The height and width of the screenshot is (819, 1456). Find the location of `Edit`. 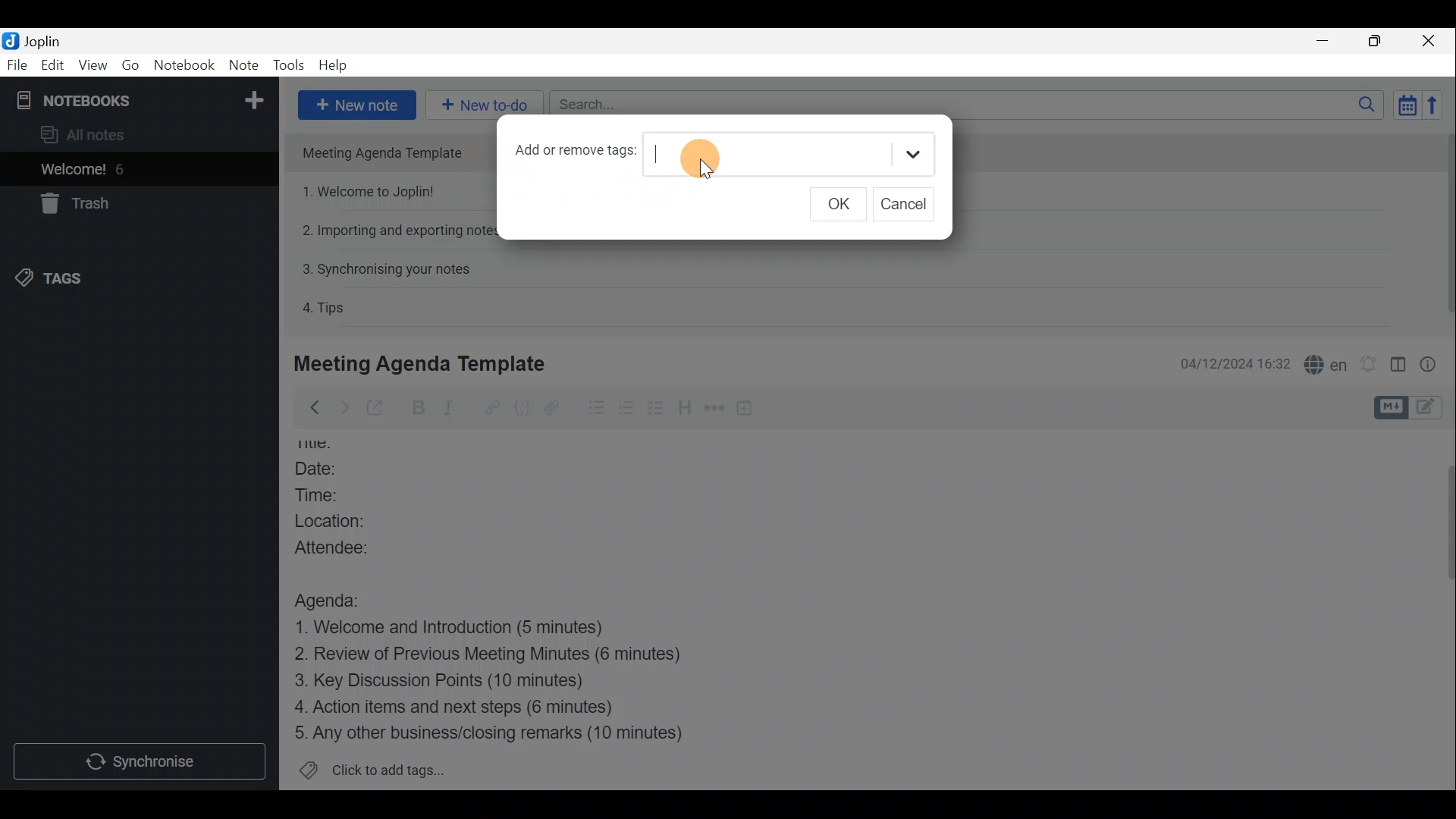

Edit is located at coordinates (53, 67).